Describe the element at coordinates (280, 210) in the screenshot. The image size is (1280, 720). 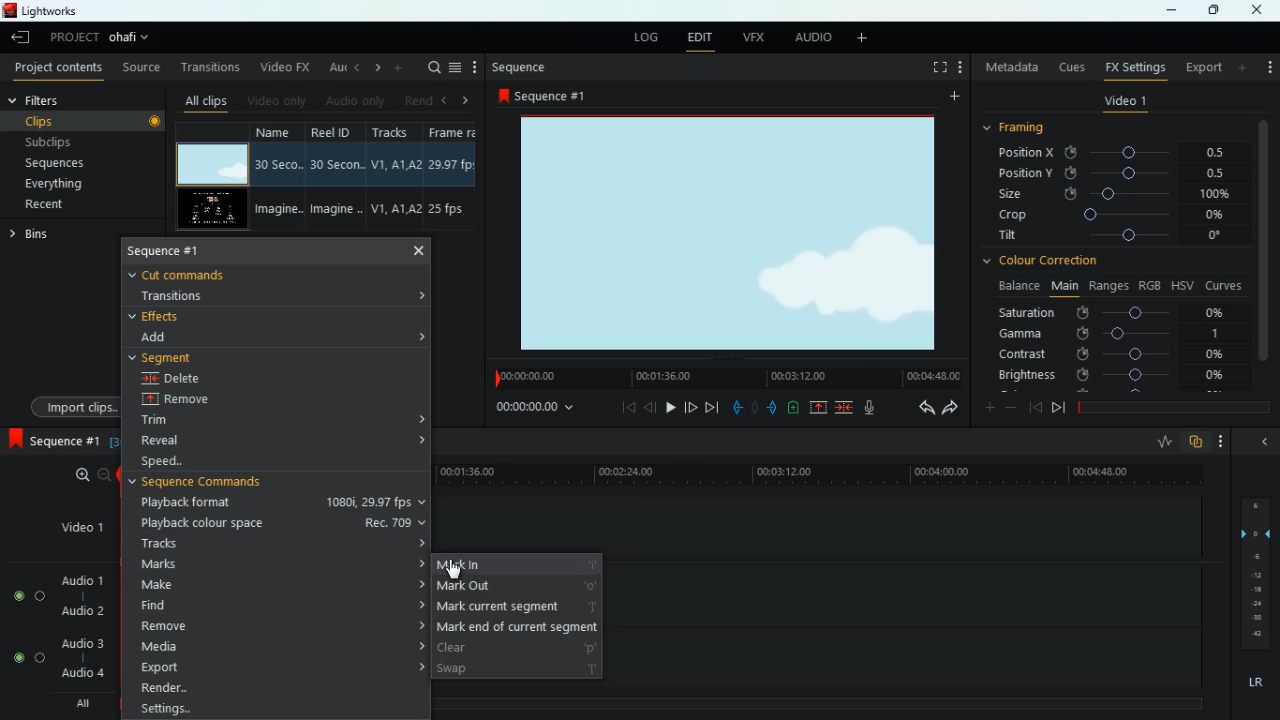
I see `Imagine..` at that location.